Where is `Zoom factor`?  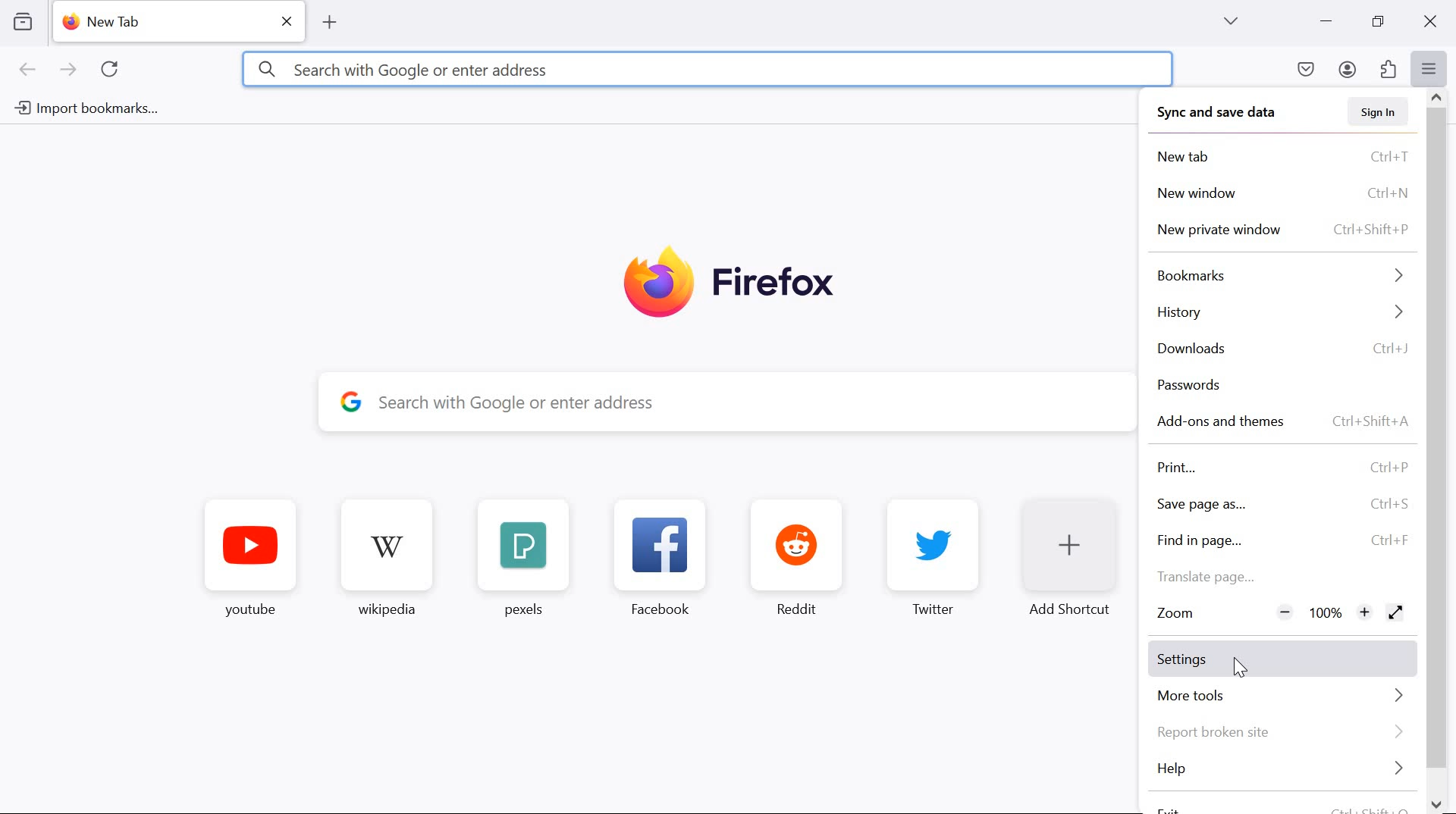 Zoom factor is located at coordinates (1279, 613).